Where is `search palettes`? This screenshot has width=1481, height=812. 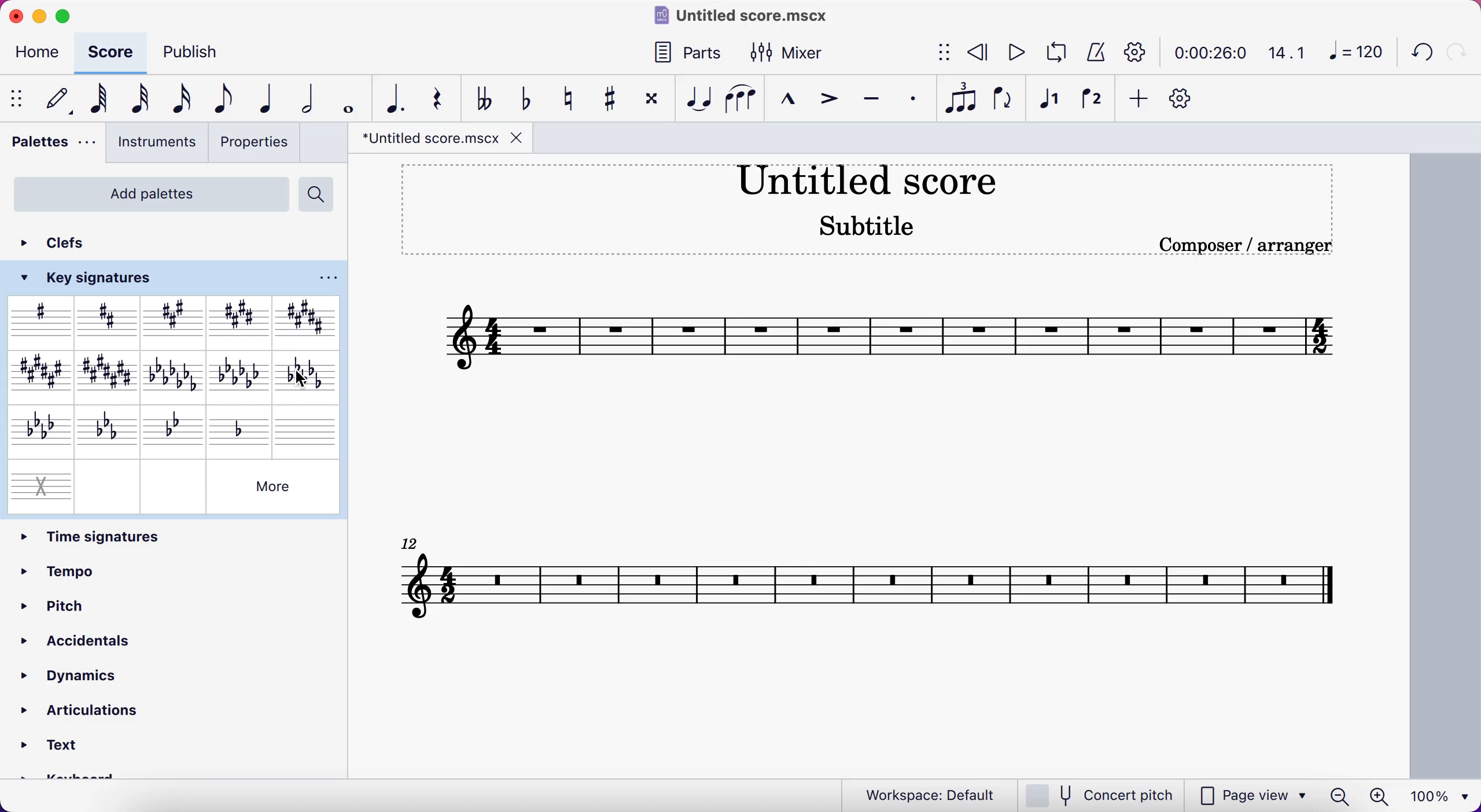
search palettes is located at coordinates (318, 194).